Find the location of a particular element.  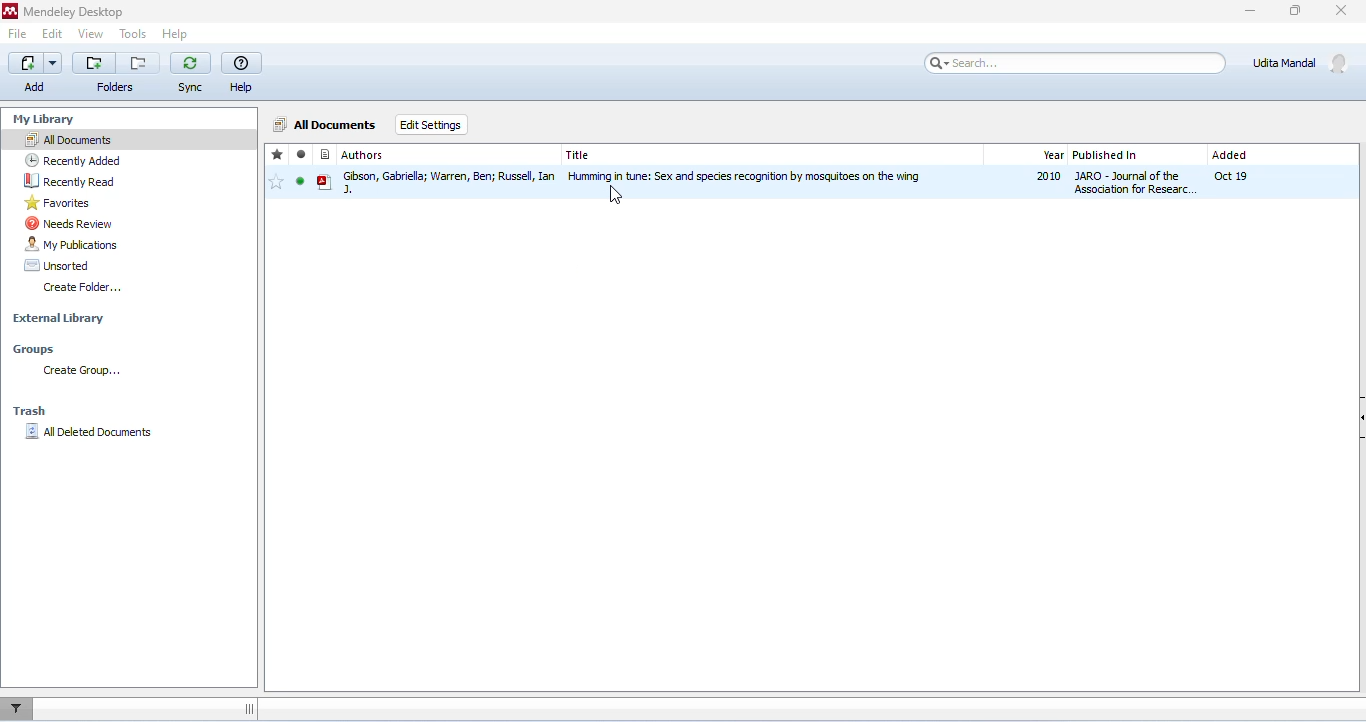

file is located at coordinates (18, 35).